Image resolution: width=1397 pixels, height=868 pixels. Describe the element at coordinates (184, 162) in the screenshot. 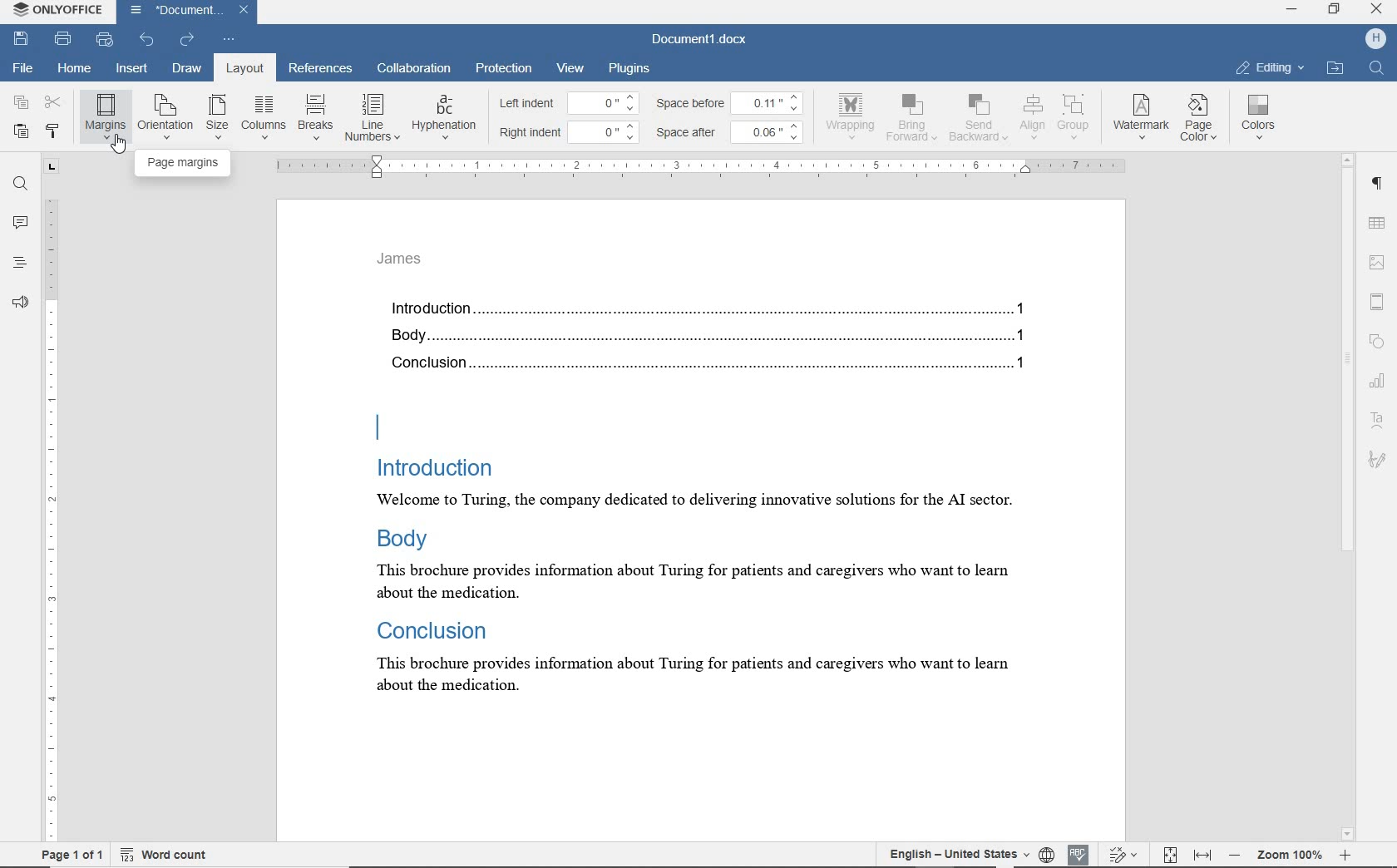

I see `page margins` at that location.